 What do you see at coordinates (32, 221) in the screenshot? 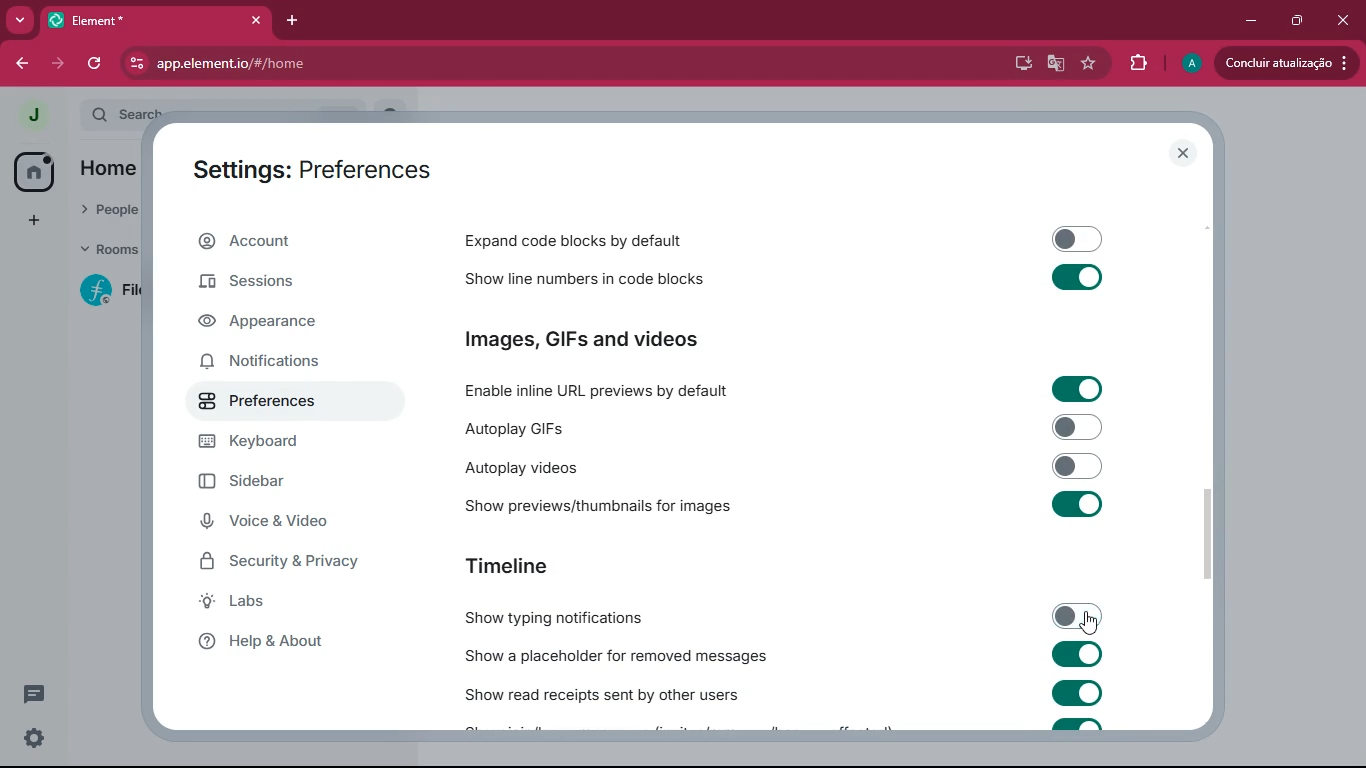
I see `add` at bounding box center [32, 221].